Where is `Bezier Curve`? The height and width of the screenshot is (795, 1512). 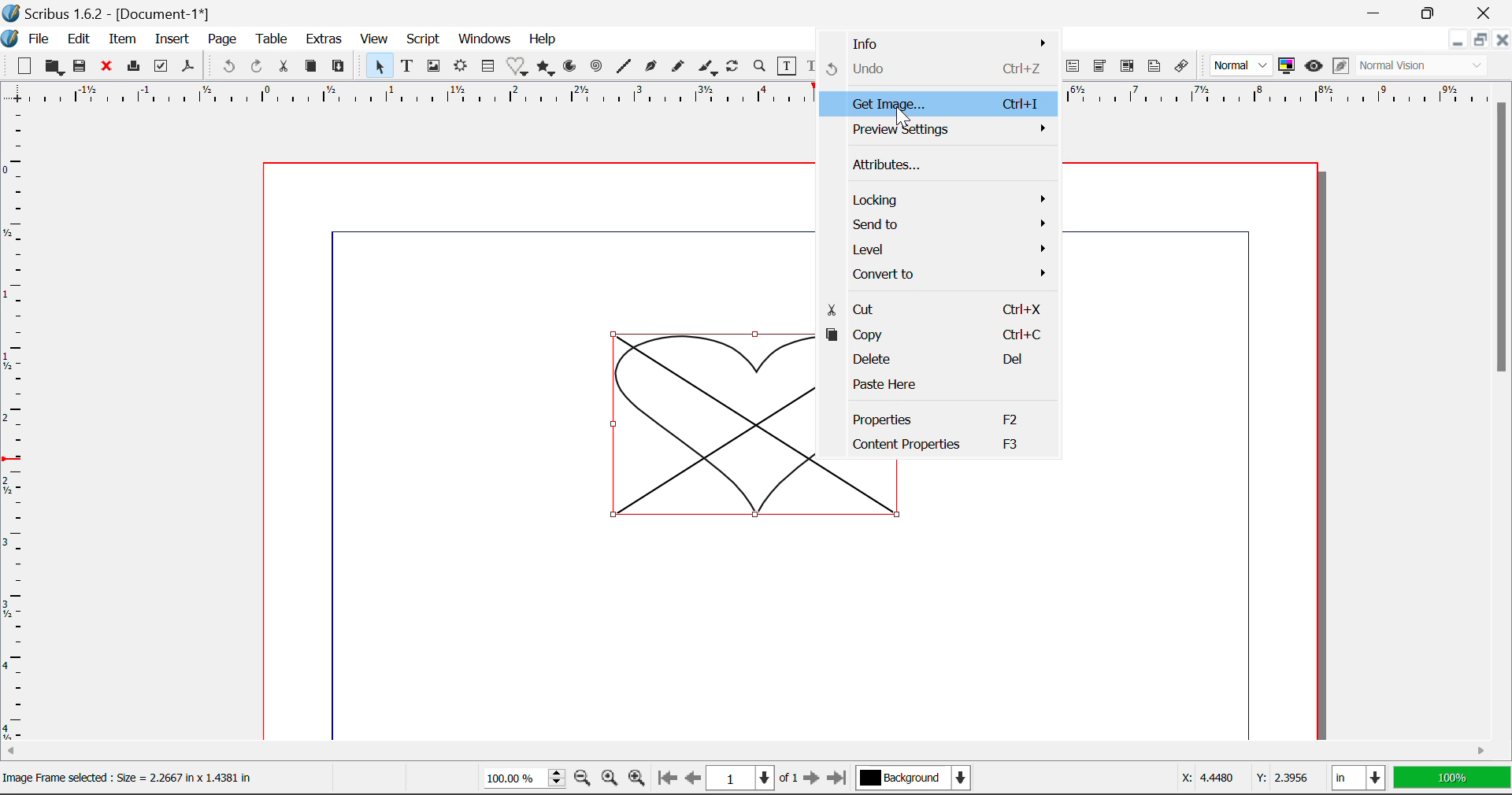
Bezier Curve is located at coordinates (652, 68).